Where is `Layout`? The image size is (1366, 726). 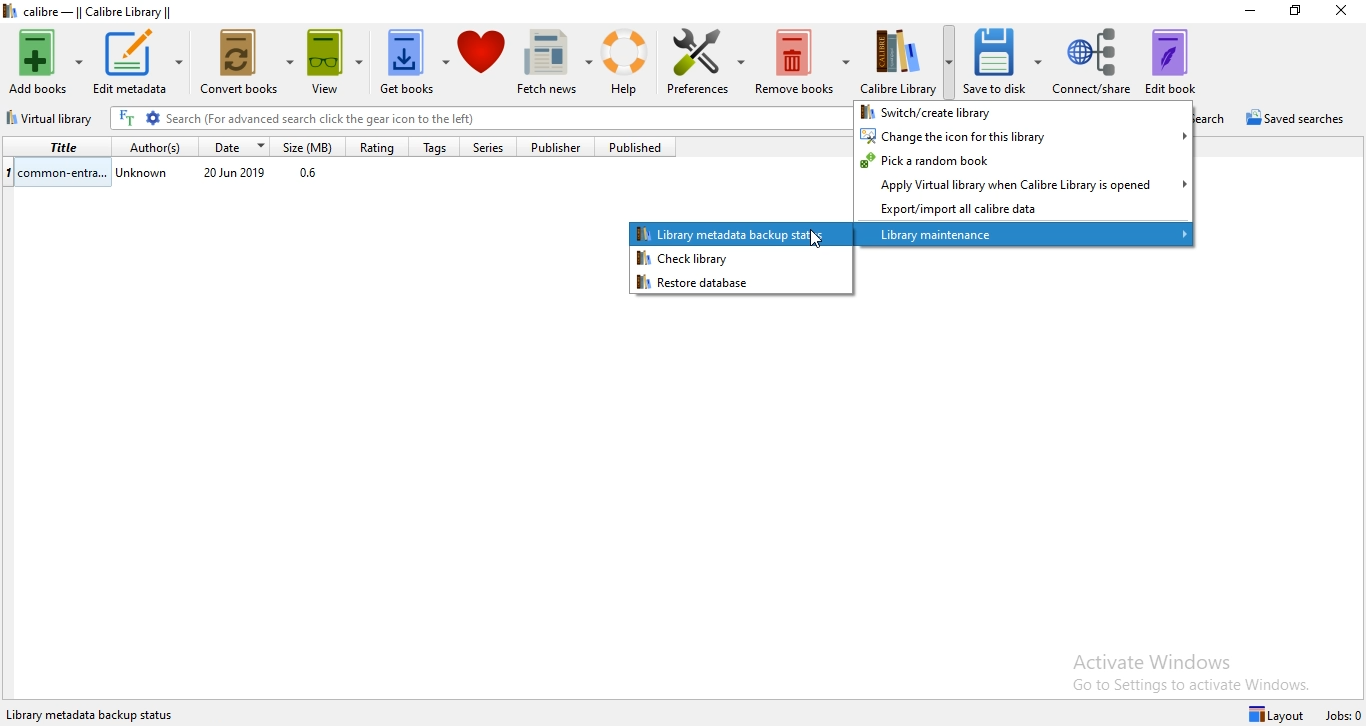 Layout is located at coordinates (1280, 713).